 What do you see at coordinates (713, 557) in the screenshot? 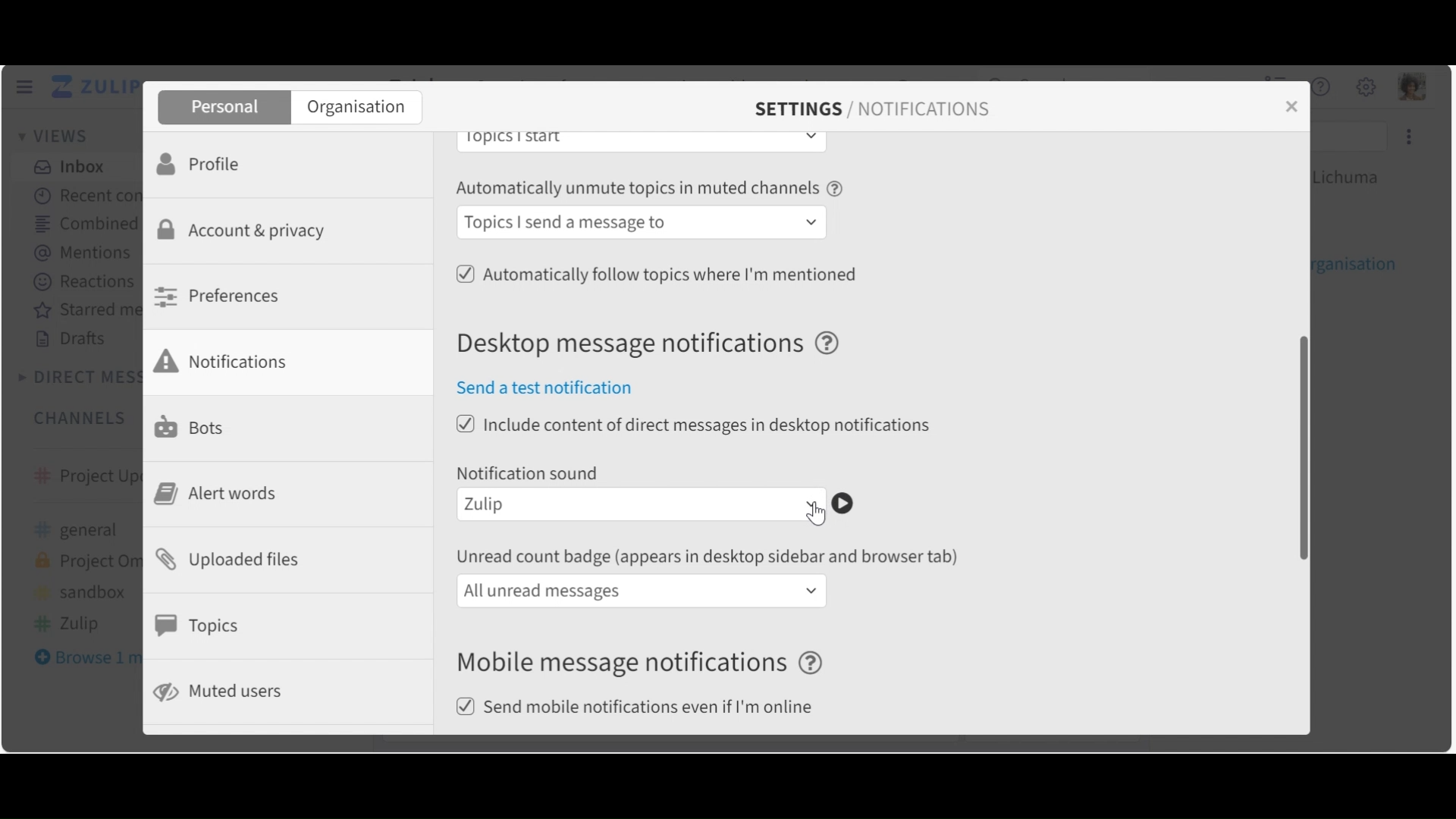
I see `unread count badge` at bounding box center [713, 557].